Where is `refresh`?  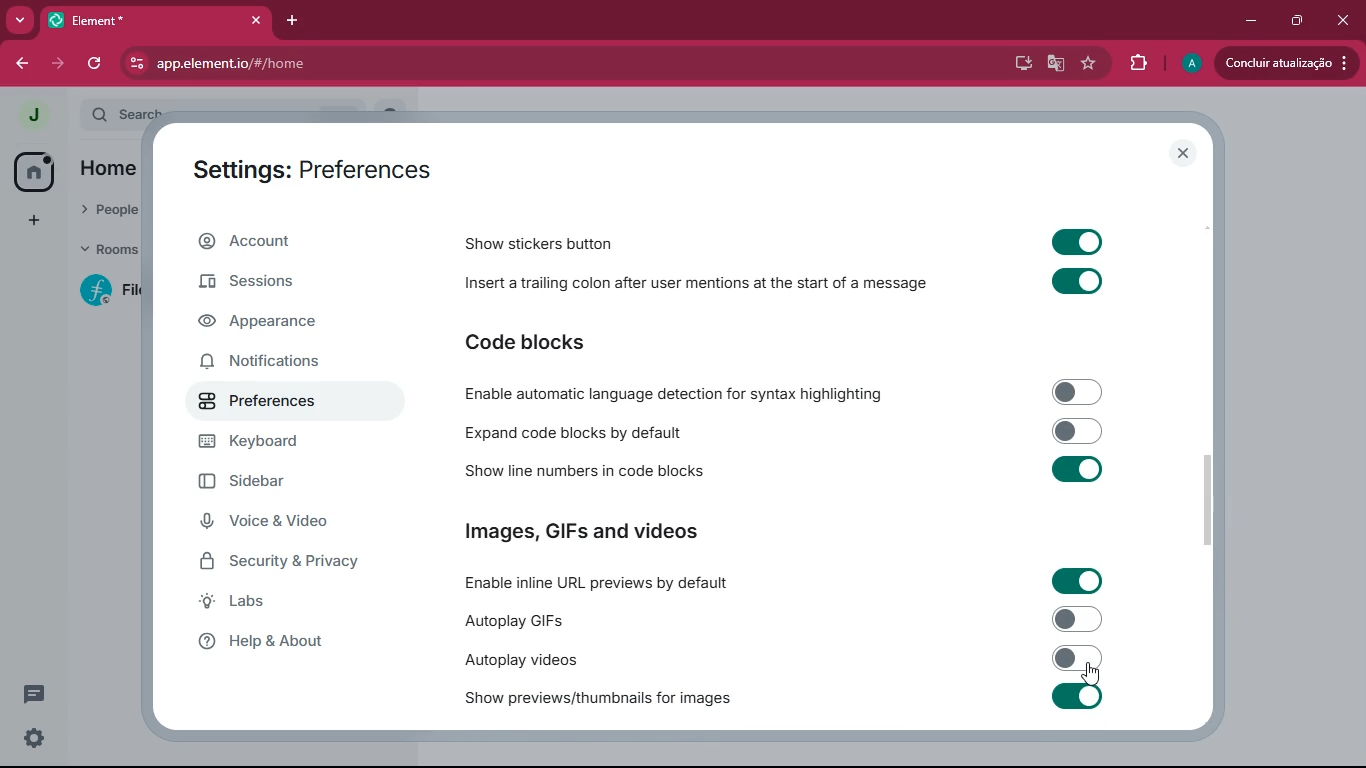
refresh is located at coordinates (96, 63).